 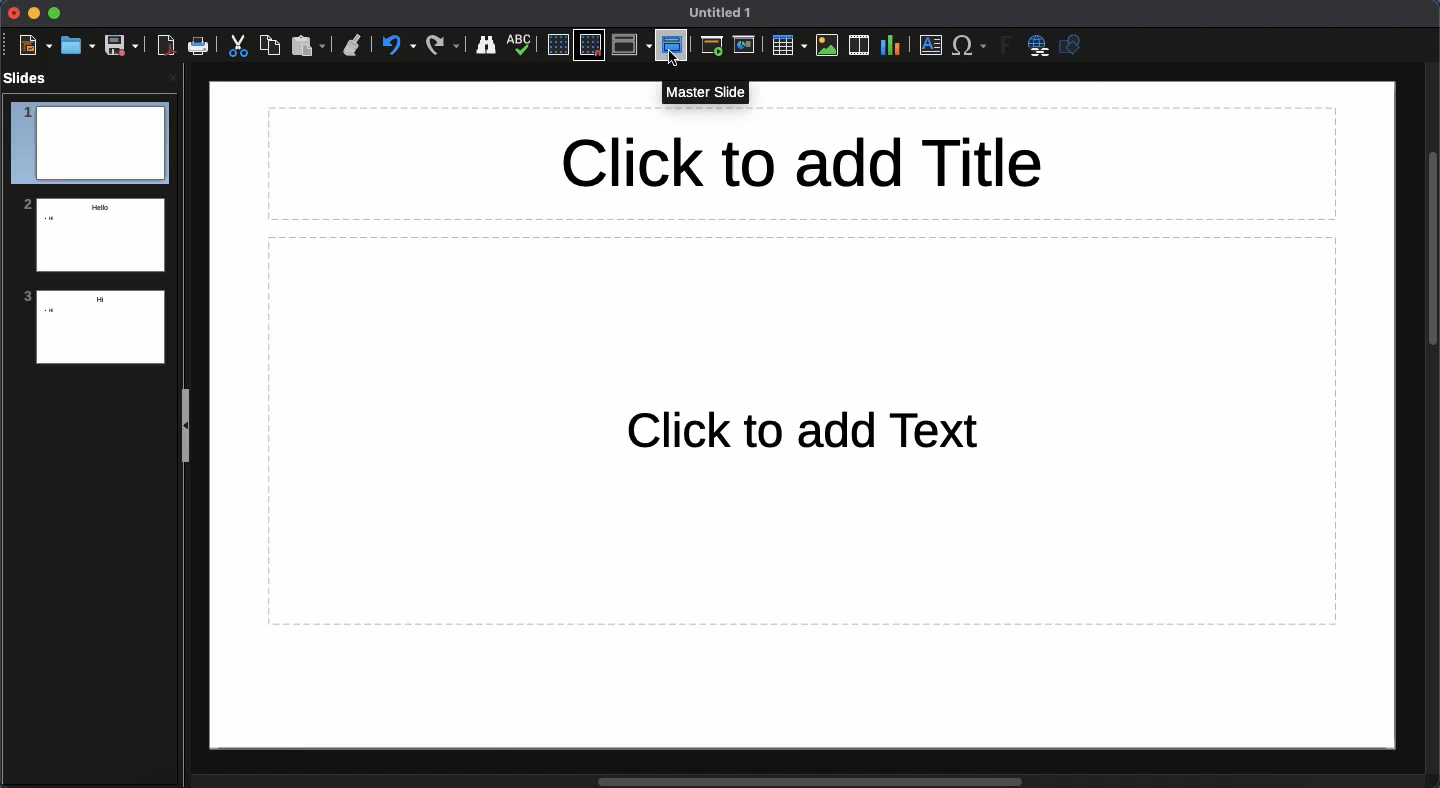 I want to click on Copy, so click(x=269, y=45).